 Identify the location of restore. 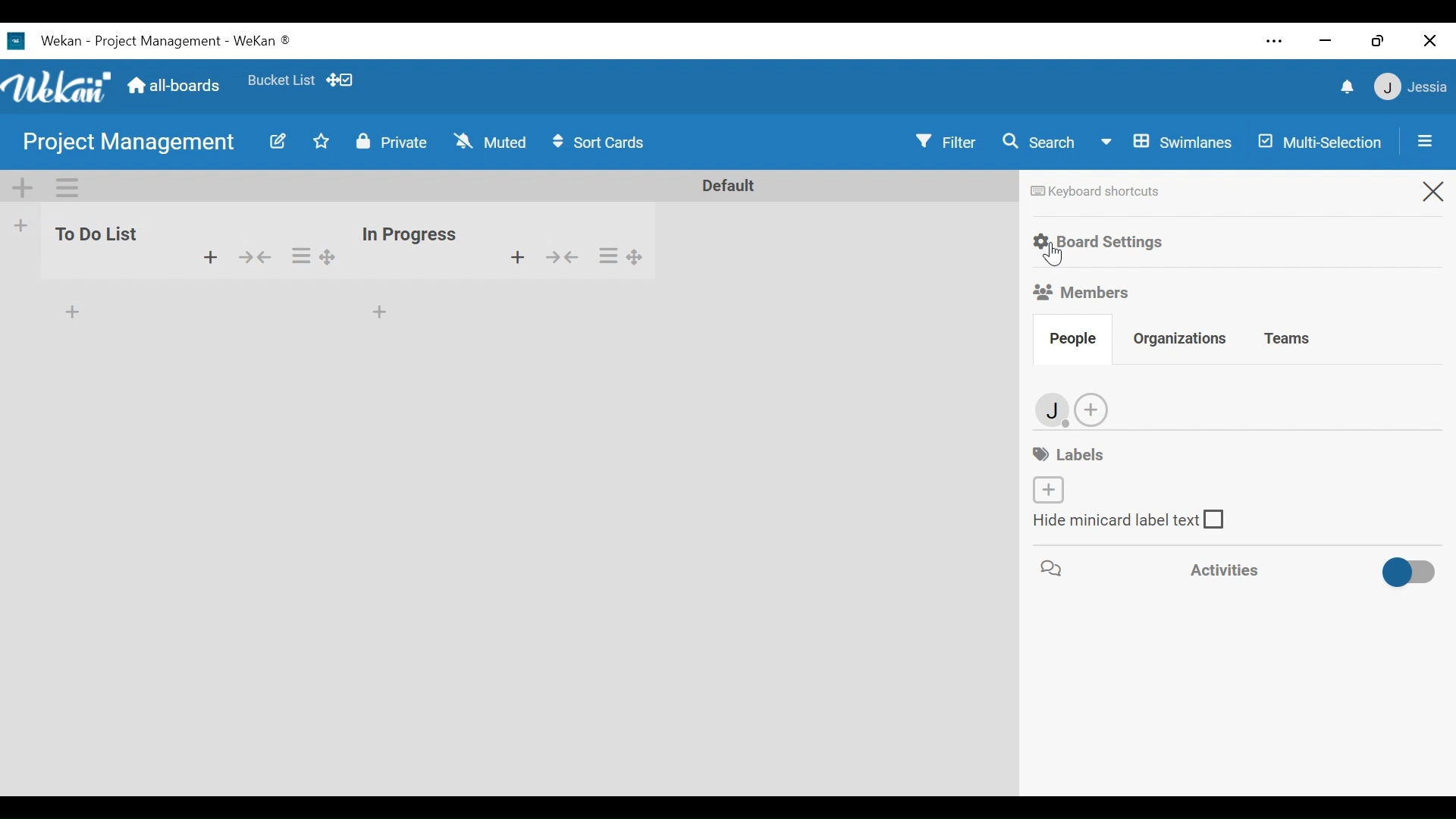
(1377, 40).